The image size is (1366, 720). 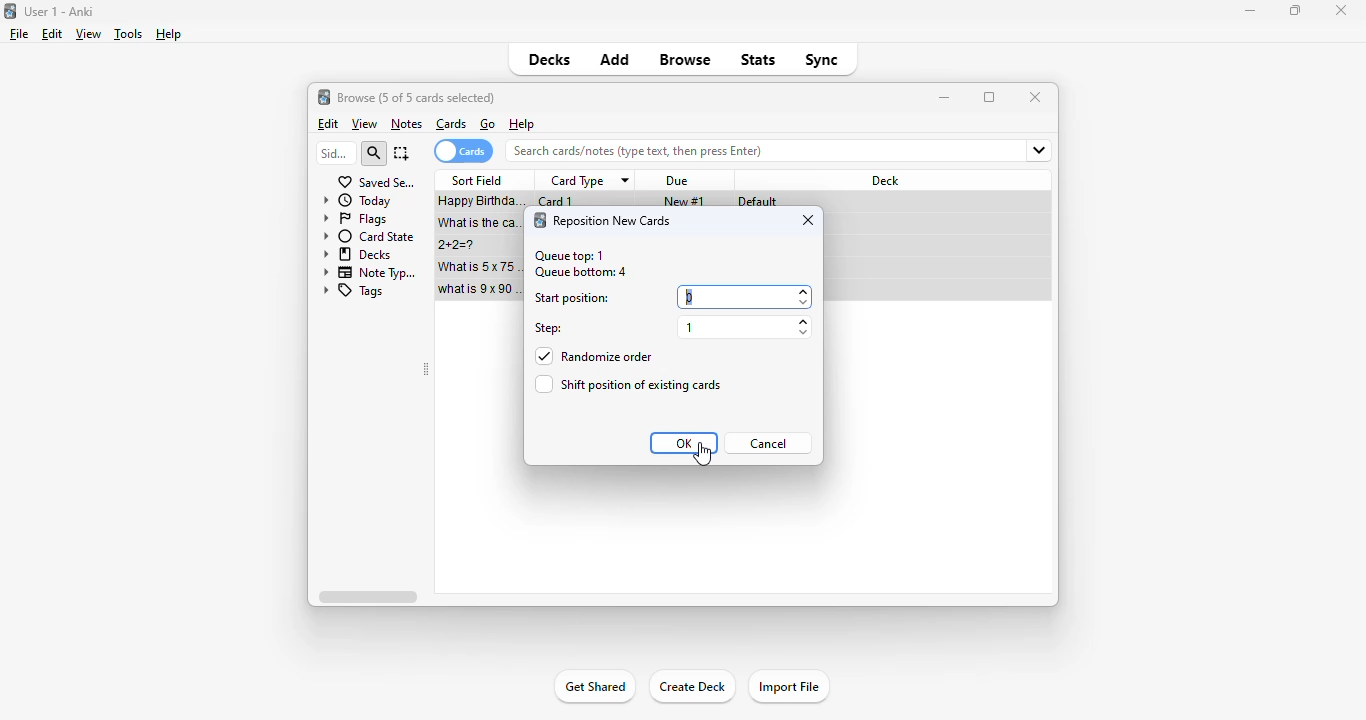 What do you see at coordinates (593, 356) in the screenshot?
I see `randomize order` at bounding box center [593, 356].